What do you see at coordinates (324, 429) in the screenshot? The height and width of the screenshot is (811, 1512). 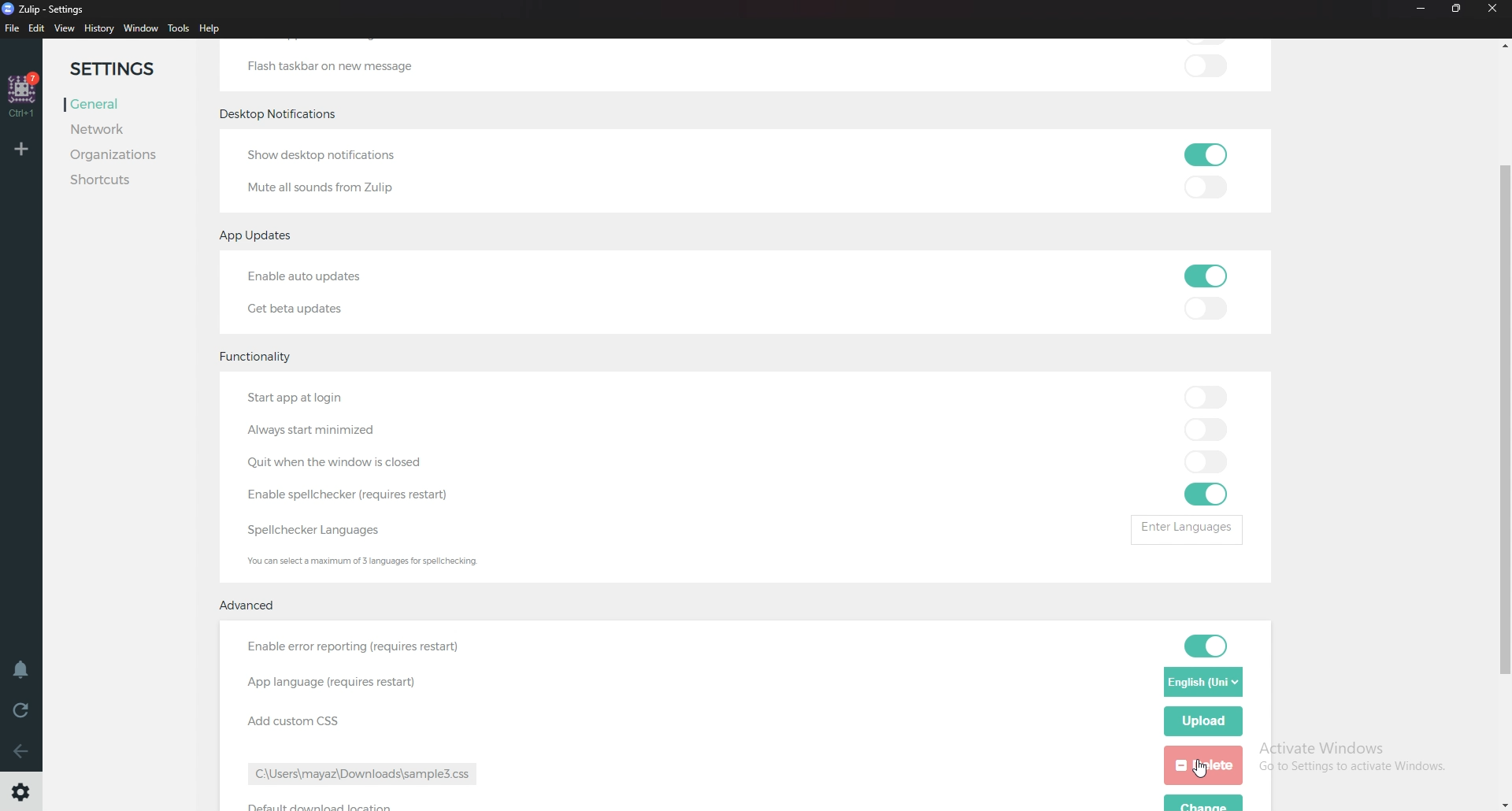 I see `Always start minimized` at bounding box center [324, 429].